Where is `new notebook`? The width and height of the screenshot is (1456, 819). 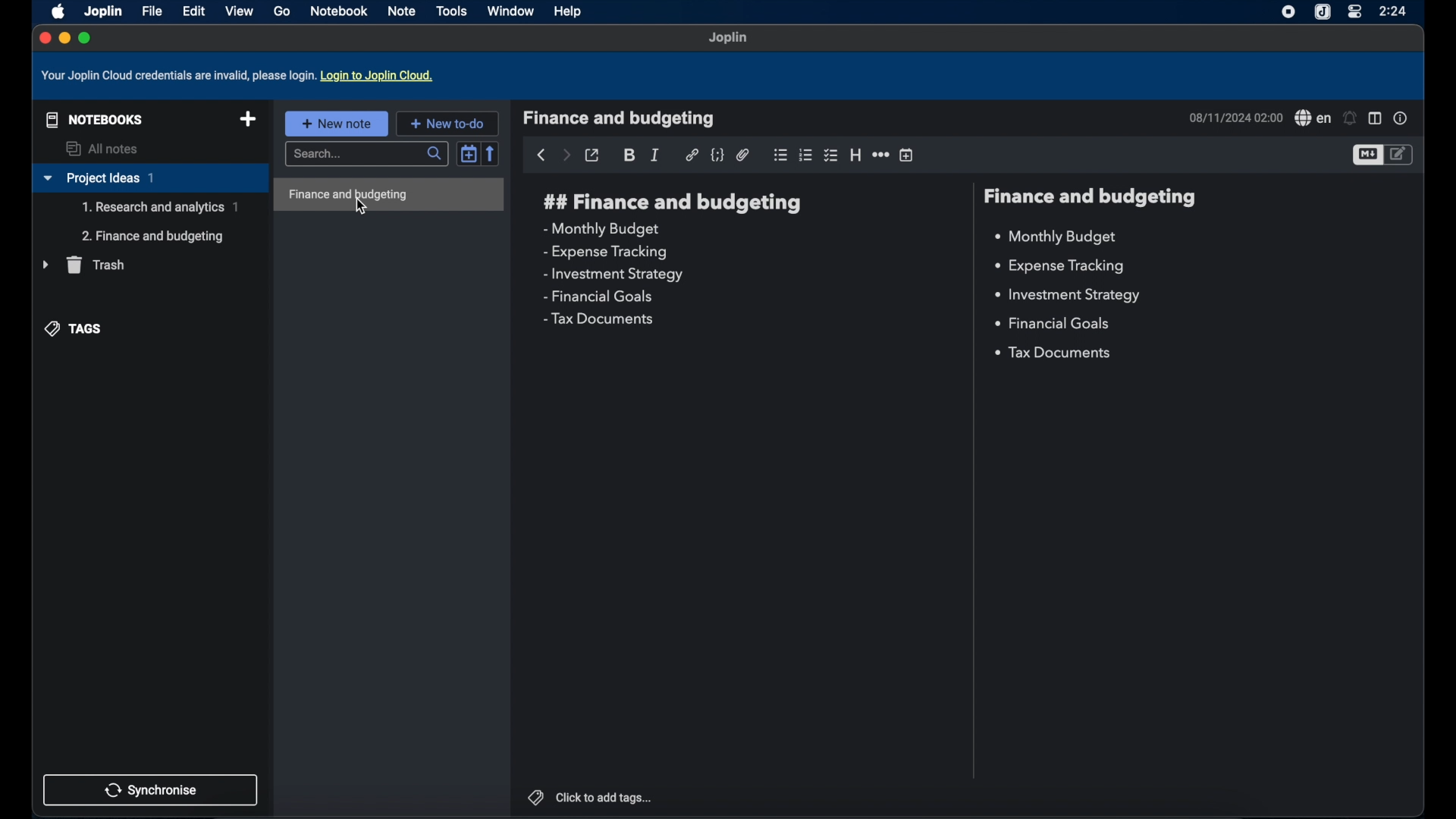
new notebook is located at coordinates (248, 120).